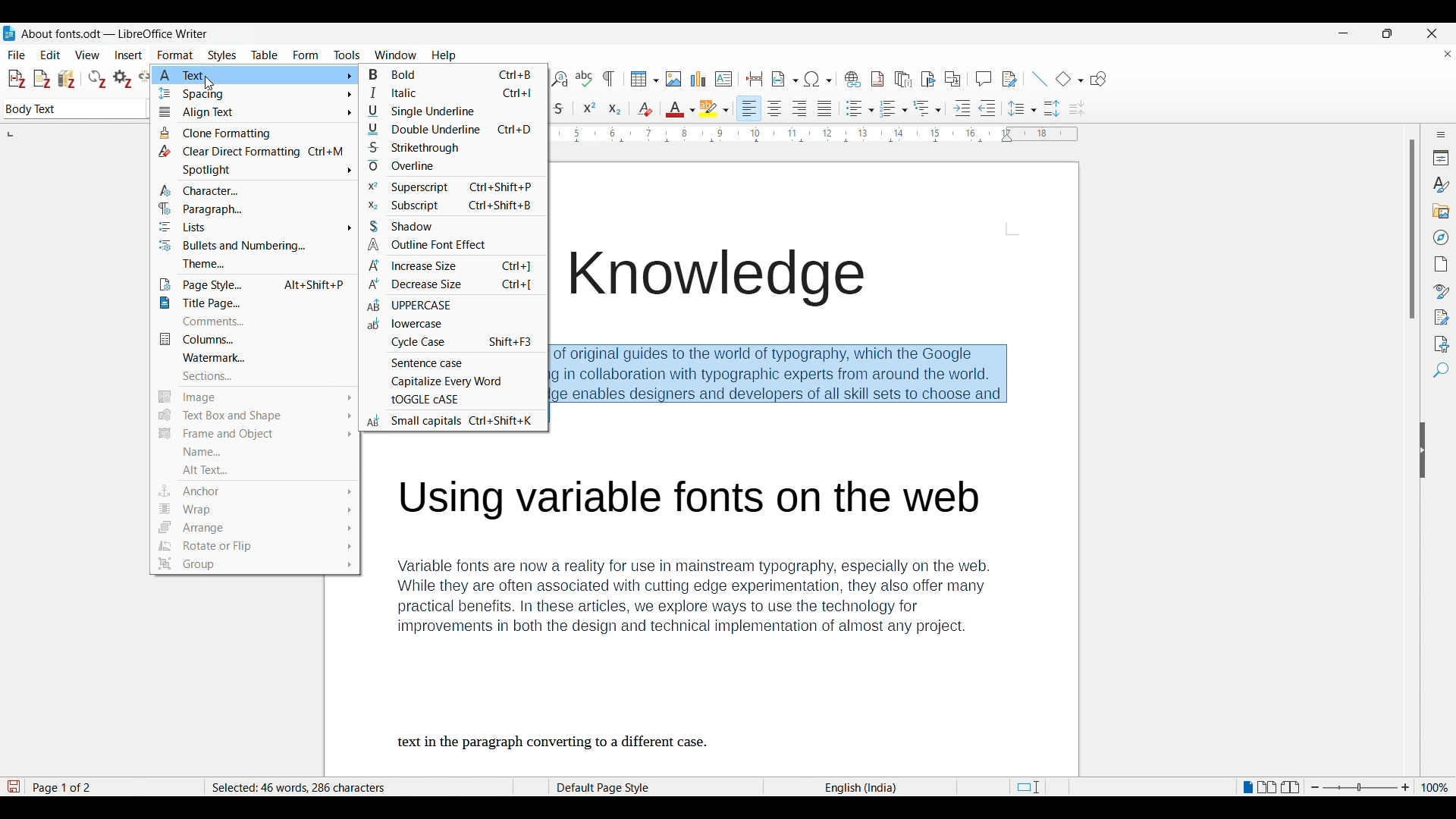 The width and height of the screenshot is (1456, 819). Describe the element at coordinates (42, 80) in the screenshot. I see `Add note` at that location.